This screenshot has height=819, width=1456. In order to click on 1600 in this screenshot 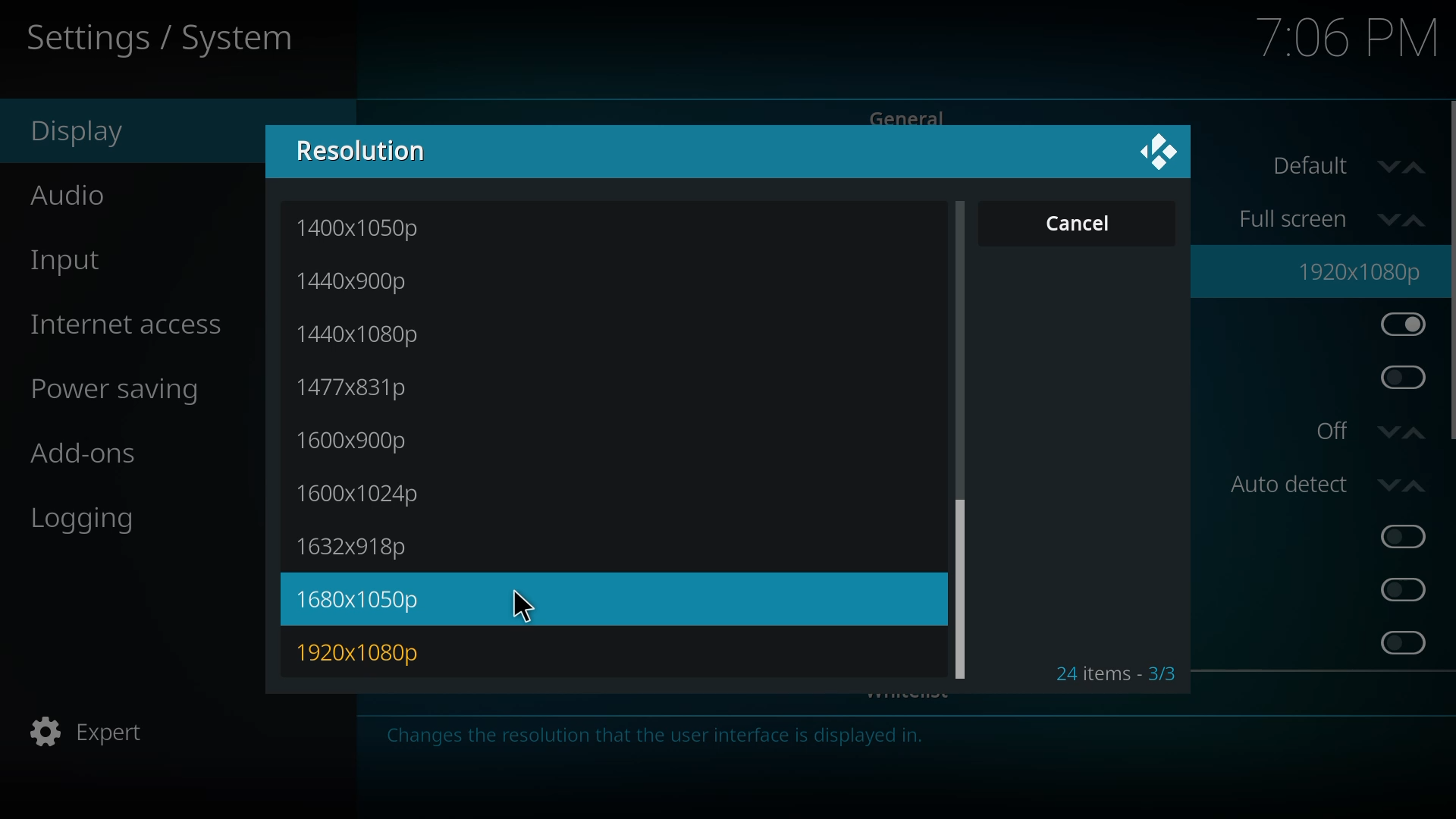, I will do `click(362, 493)`.